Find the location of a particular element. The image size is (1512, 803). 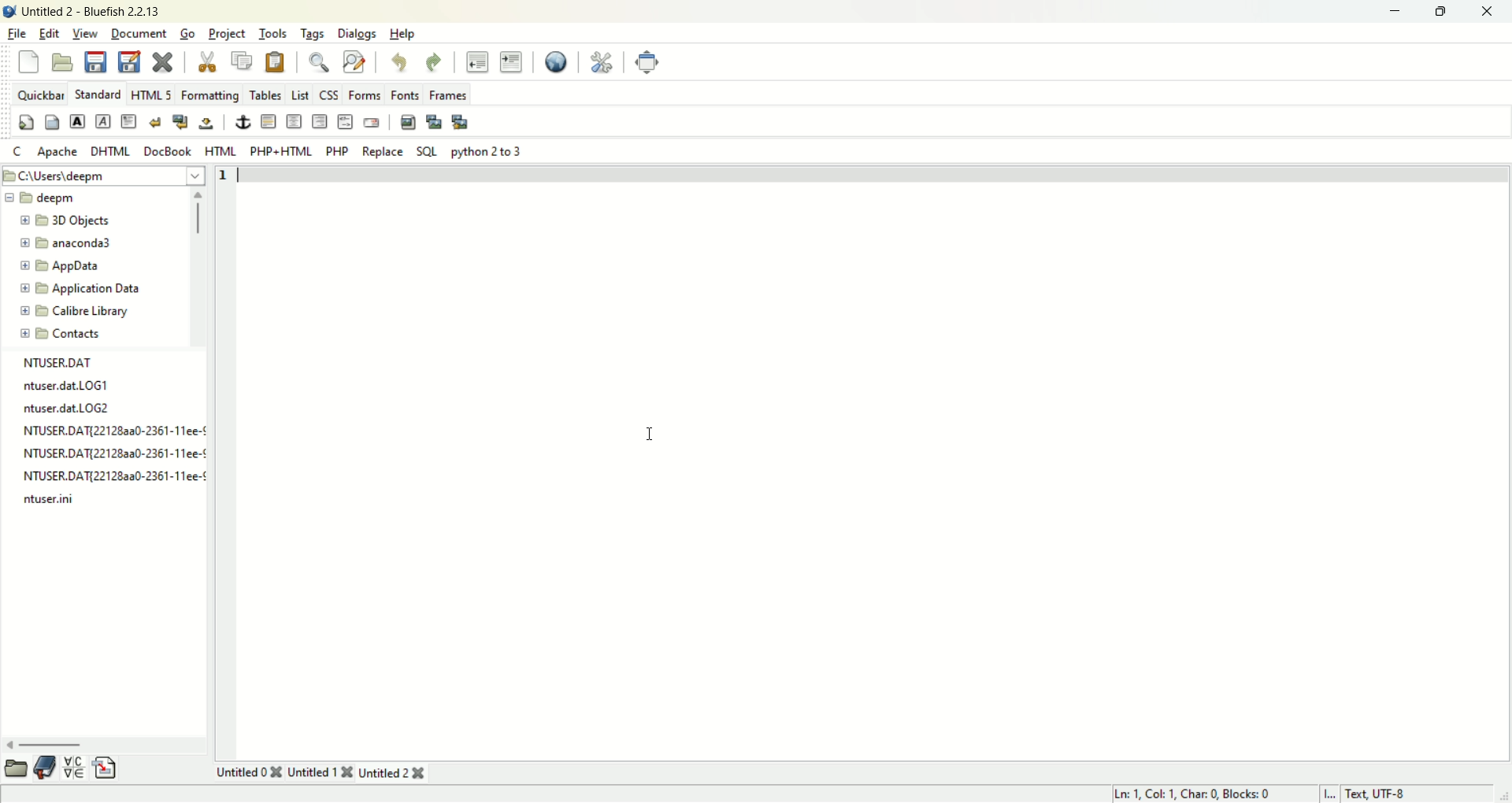

horizontal scroll bar is located at coordinates (105, 744).